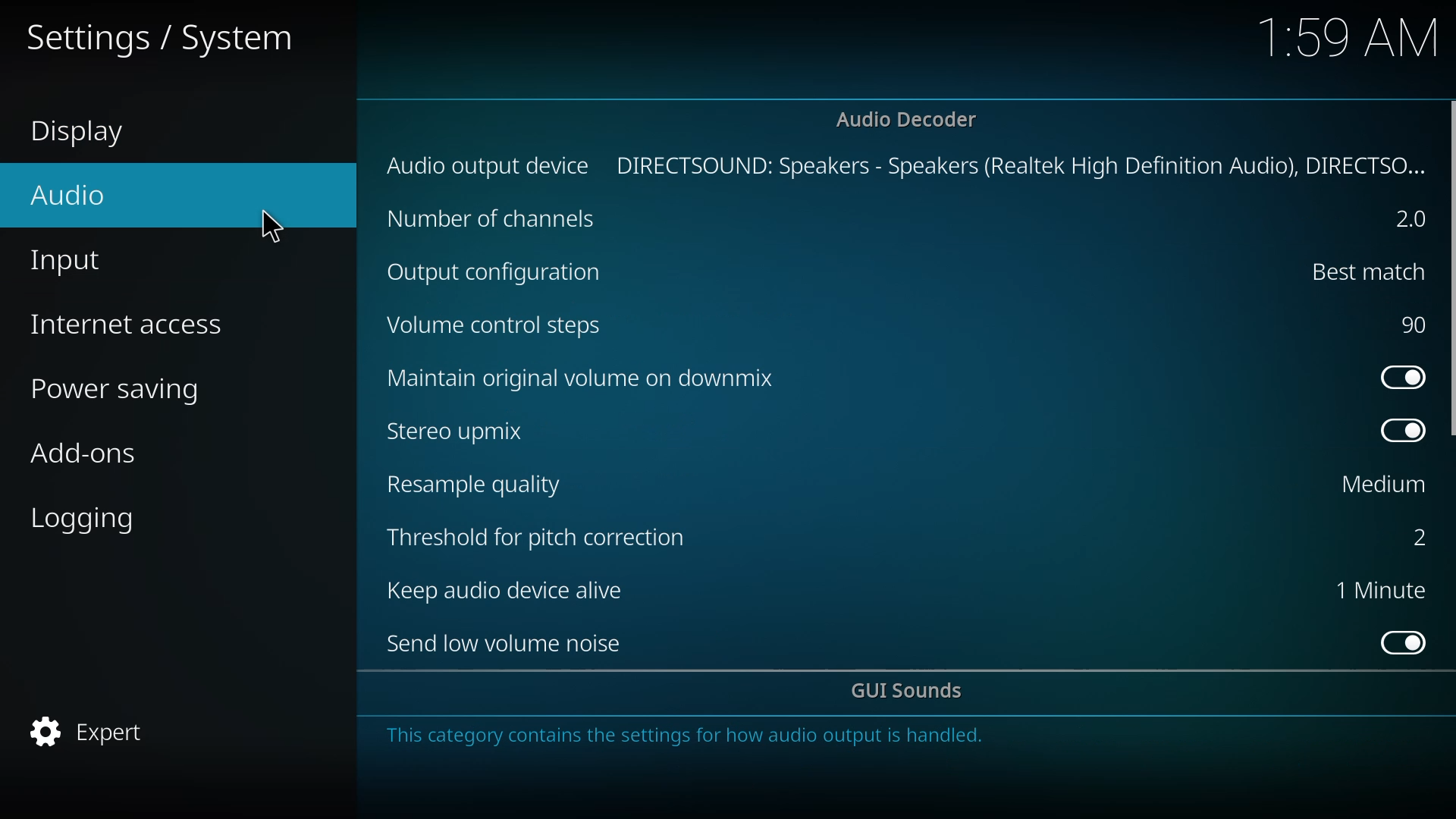  What do you see at coordinates (133, 325) in the screenshot?
I see `internet access` at bounding box center [133, 325].